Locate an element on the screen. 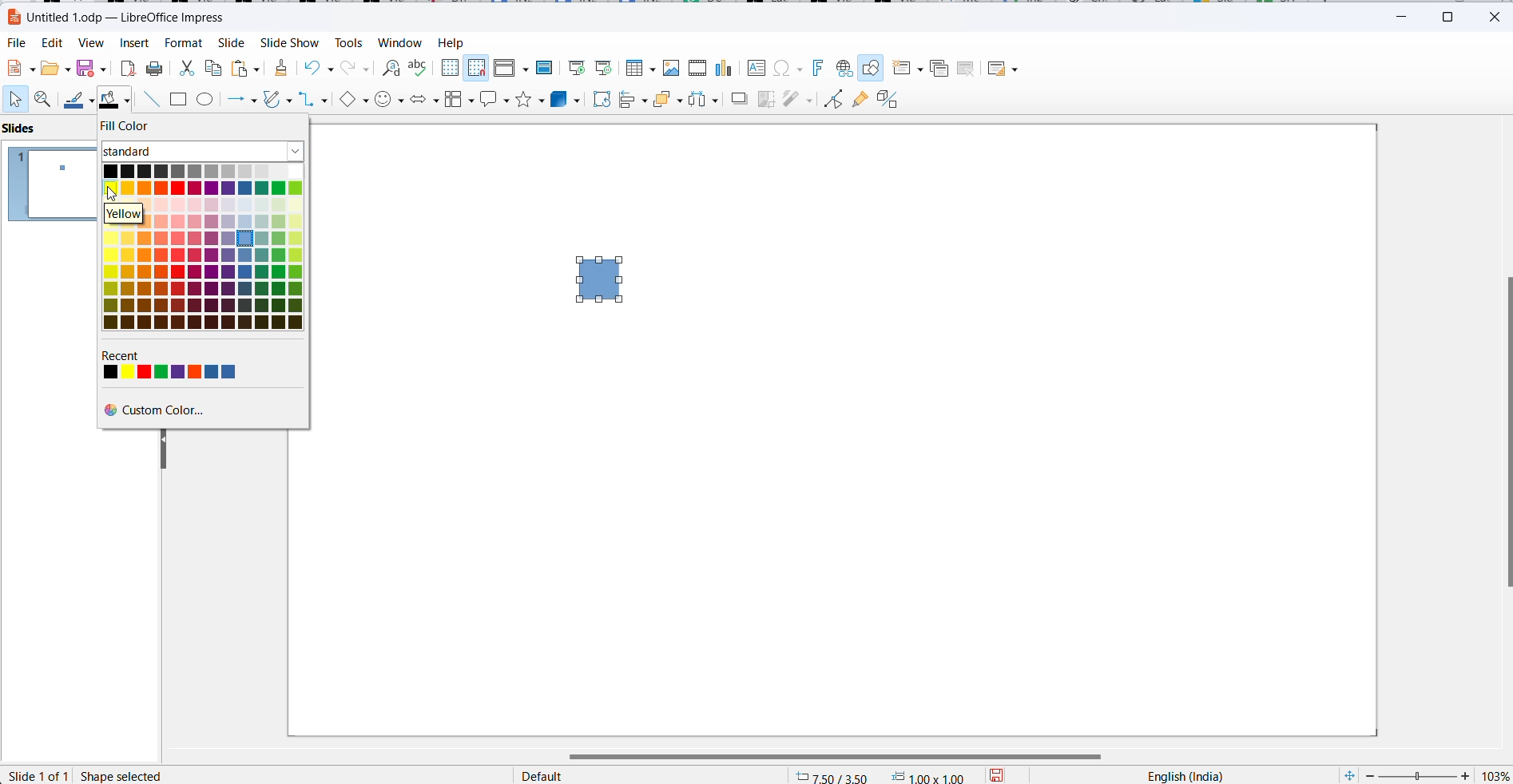 Image resolution: width=1513 pixels, height=784 pixels. toggle endpoint edit mode is located at coordinates (831, 98).